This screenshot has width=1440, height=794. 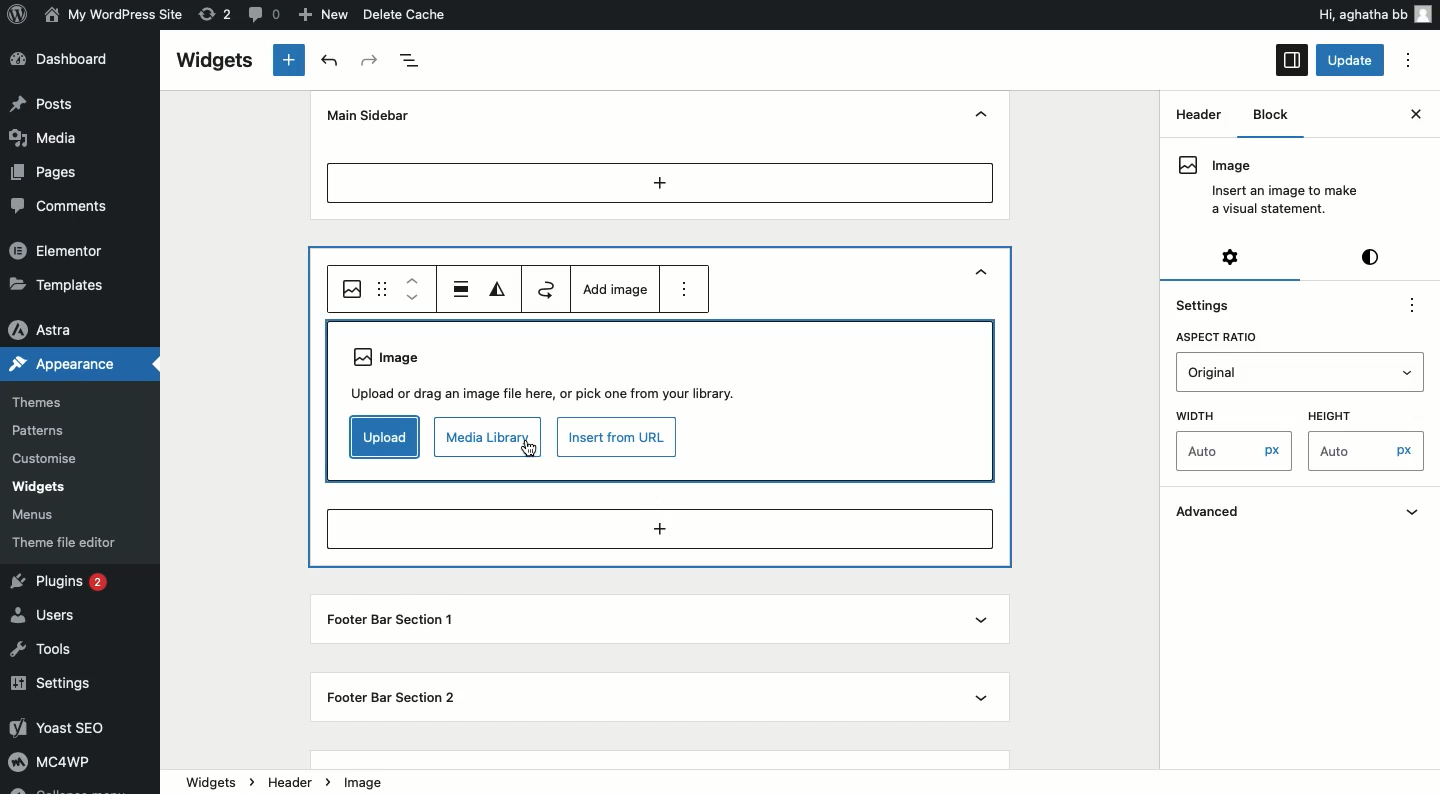 What do you see at coordinates (66, 788) in the screenshot?
I see `Collapse menu` at bounding box center [66, 788].